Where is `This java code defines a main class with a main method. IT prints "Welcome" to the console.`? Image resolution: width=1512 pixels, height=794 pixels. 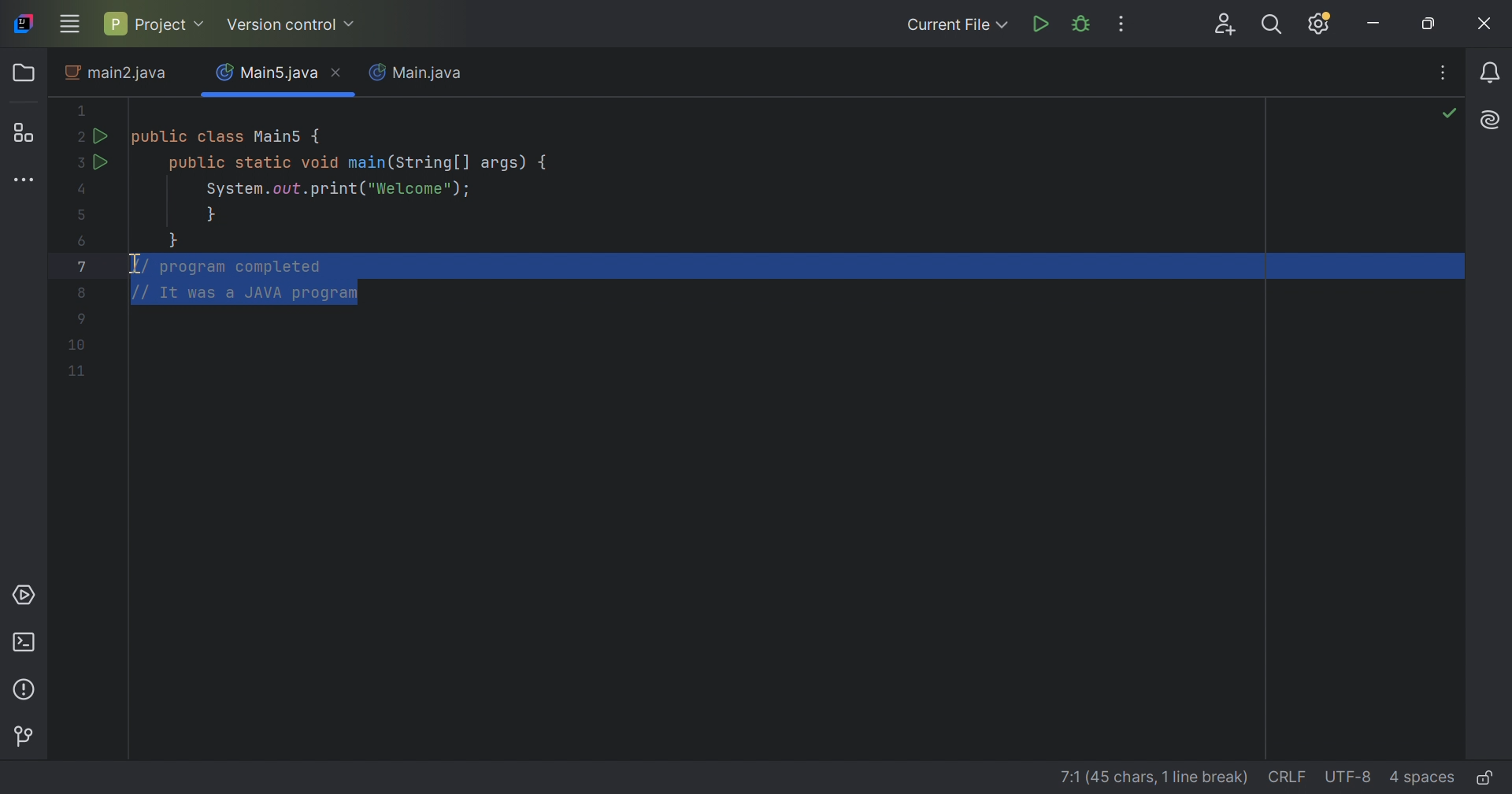 This java code defines a main class with a main method. IT prints "Welcome" to the console. is located at coordinates (312, 173).